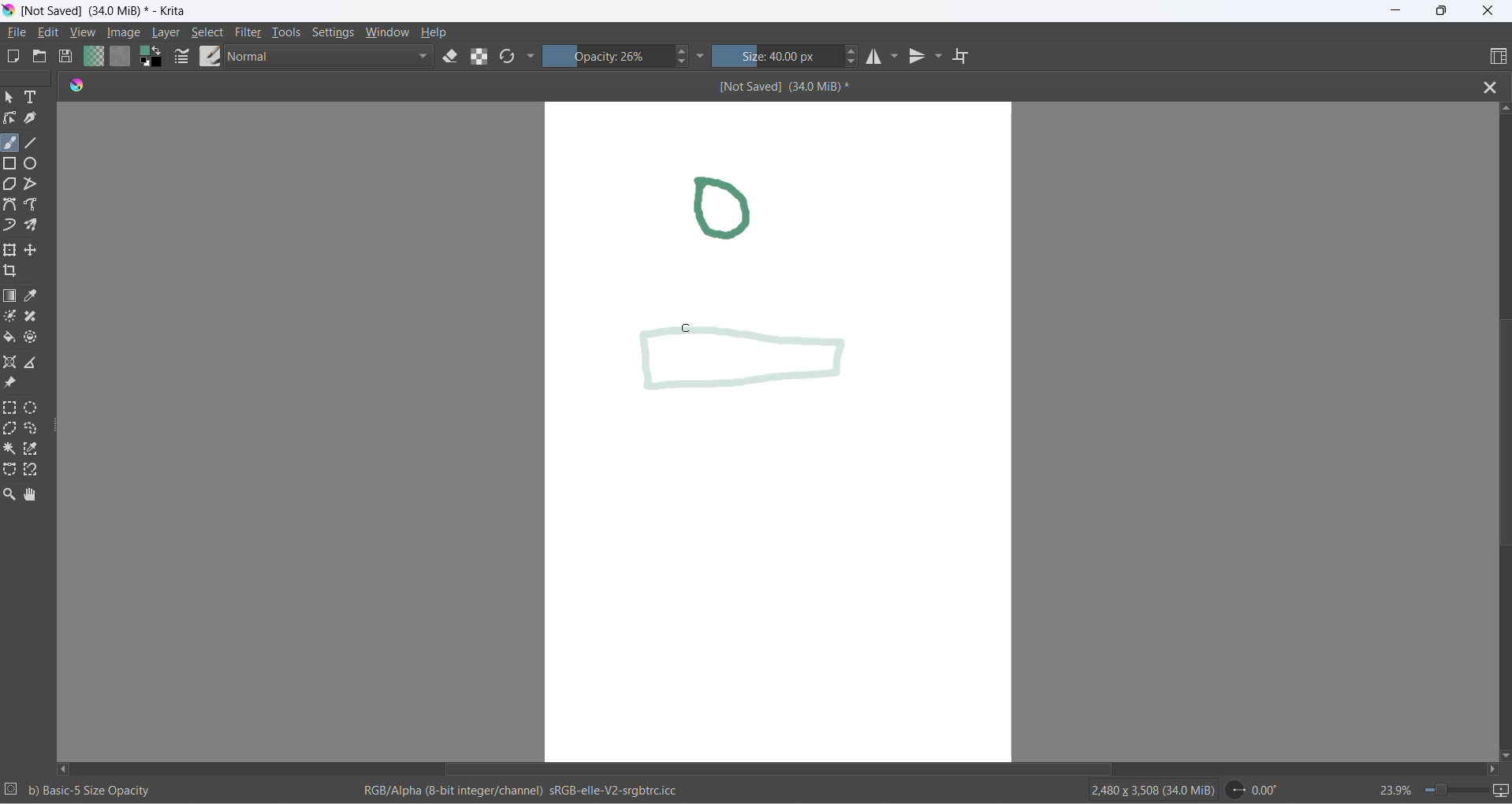 This screenshot has width=1512, height=804. What do you see at coordinates (1502, 792) in the screenshot?
I see `slideshow` at bounding box center [1502, 792].